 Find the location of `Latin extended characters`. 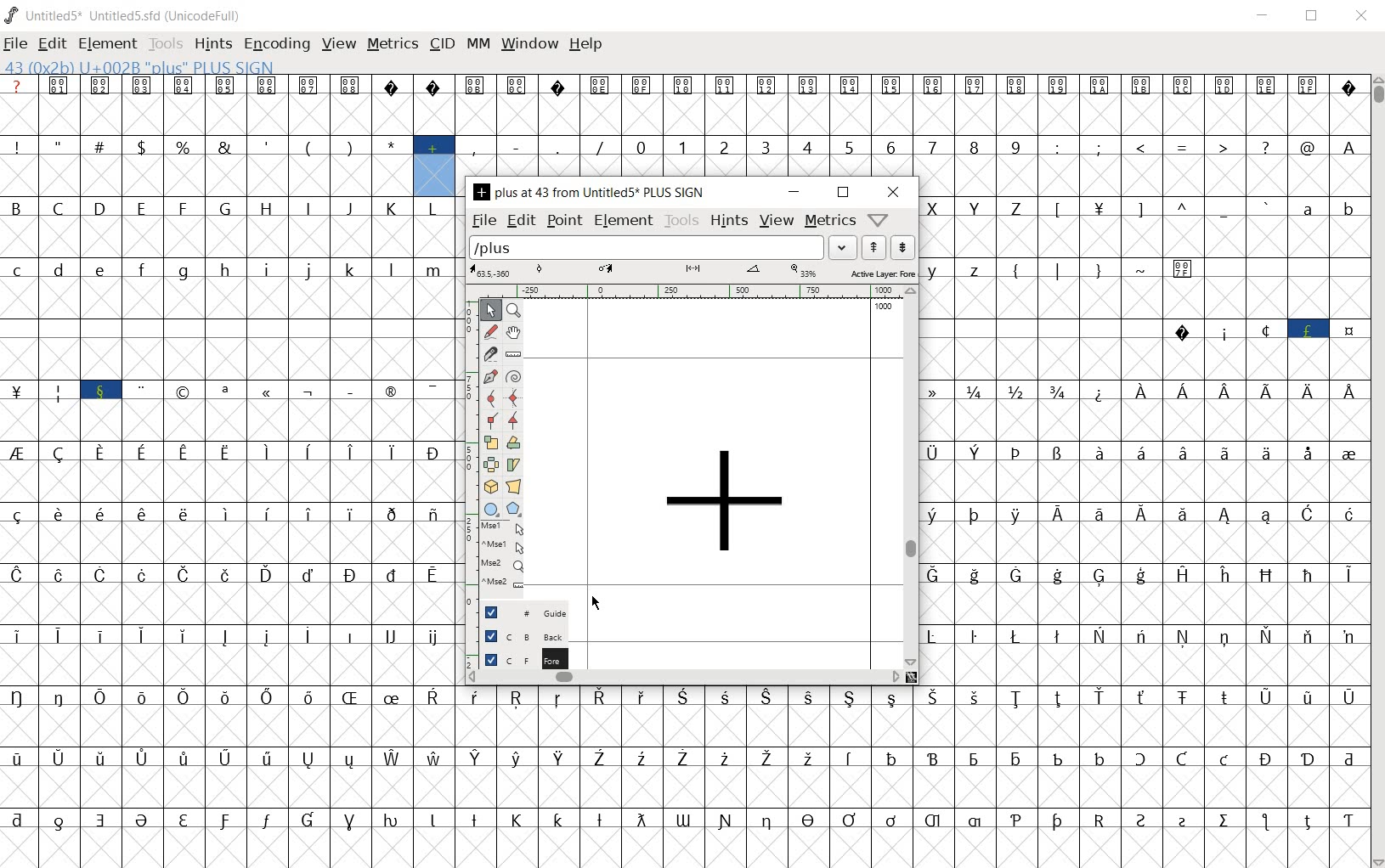

Latin extended characters is located at coordinates (1202, 534).